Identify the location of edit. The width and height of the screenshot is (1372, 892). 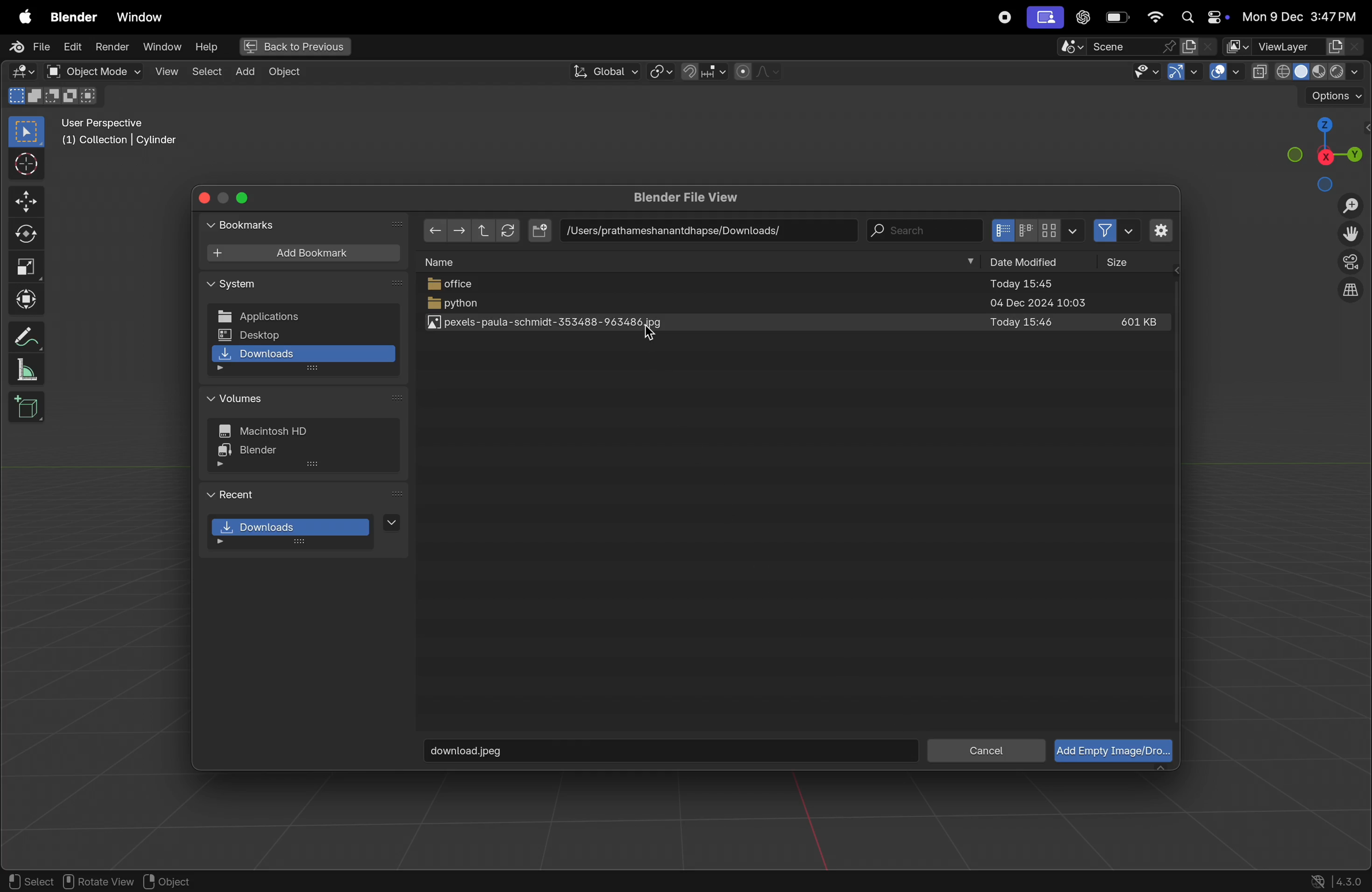
(73, 48).